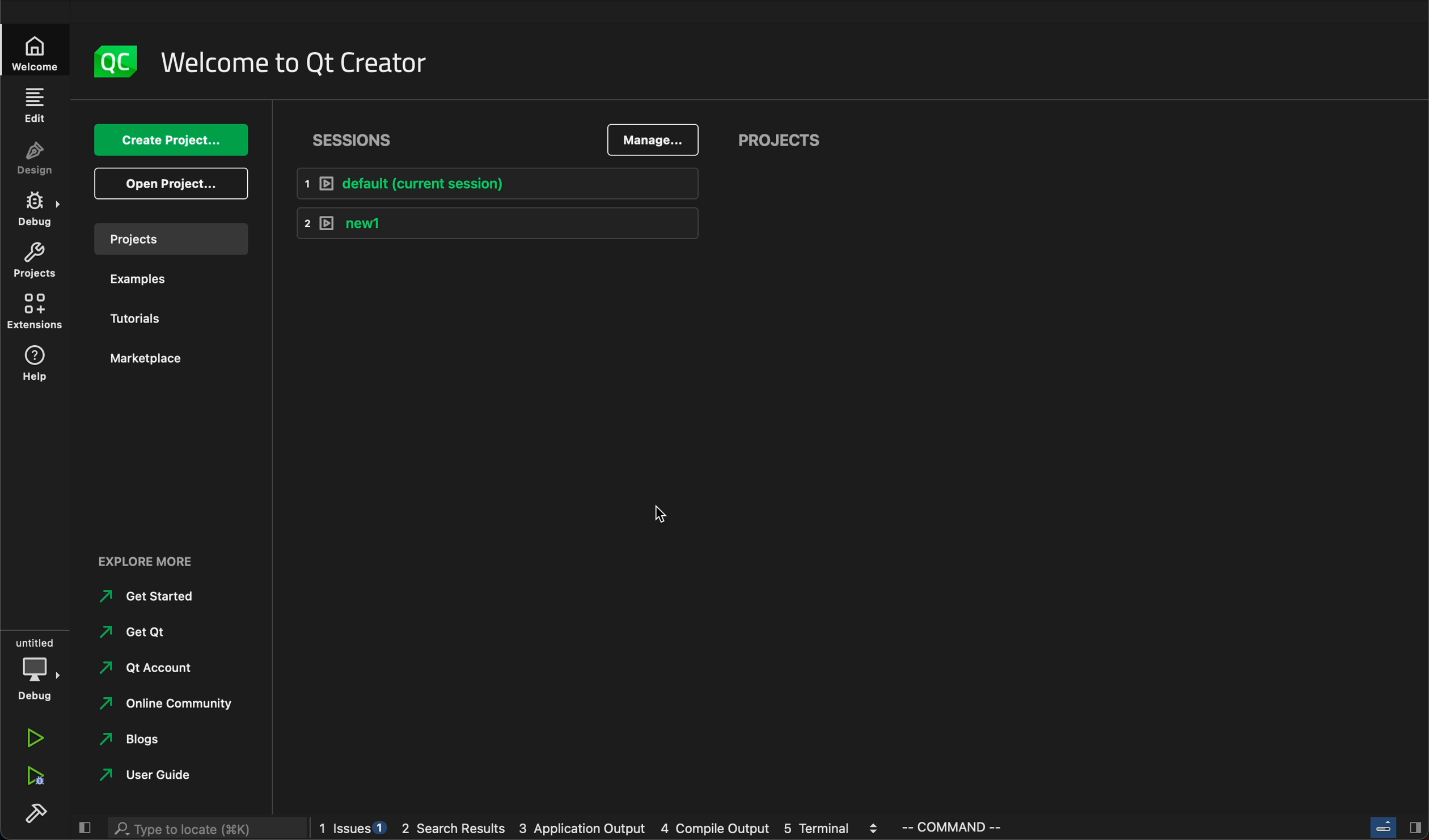 The width and height of the screenshot is (1429, 840). I want to click on get qt, so click(150, 634).